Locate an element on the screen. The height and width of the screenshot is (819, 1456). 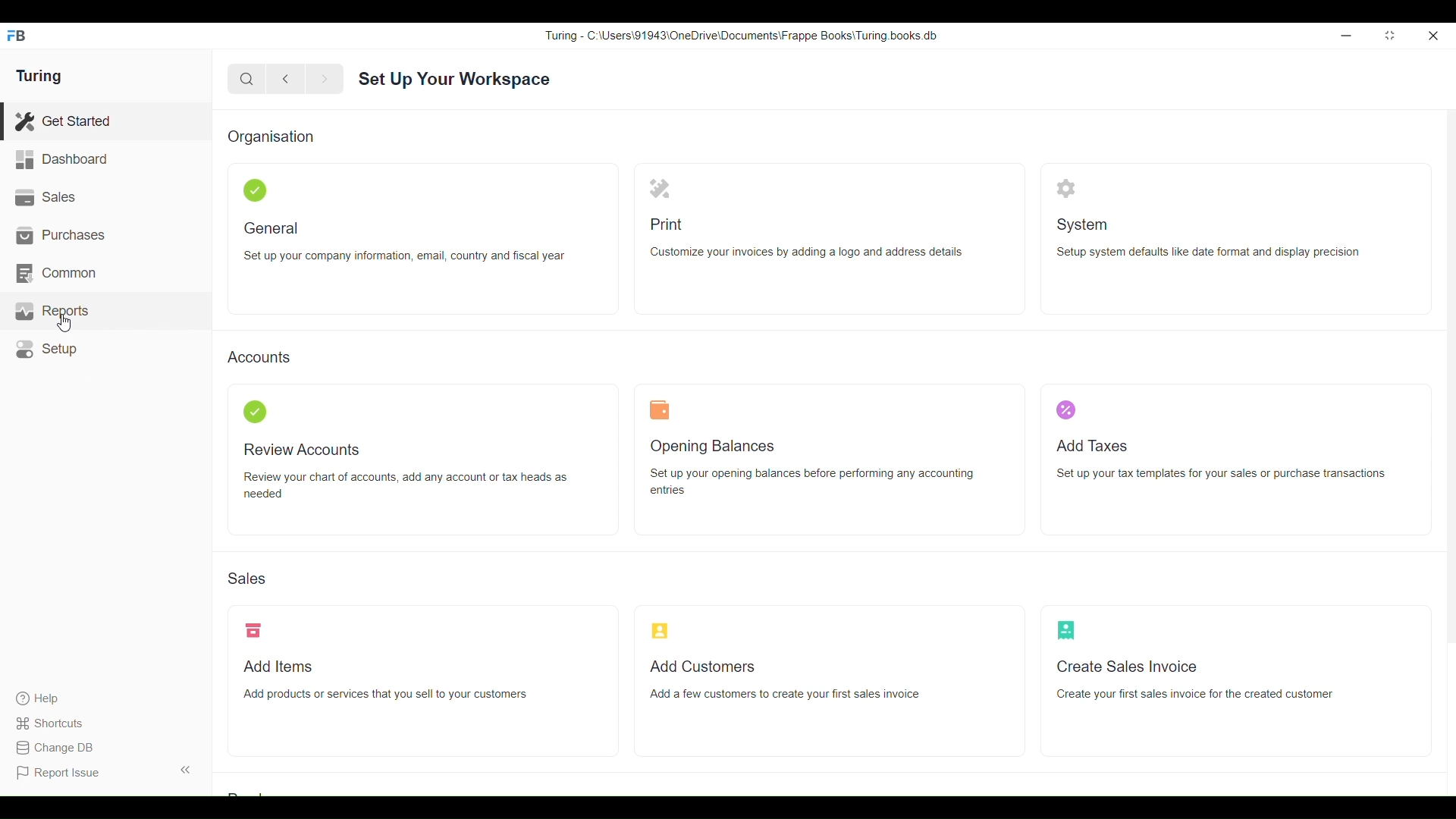
Collapse is located at coordinates (186, 770).